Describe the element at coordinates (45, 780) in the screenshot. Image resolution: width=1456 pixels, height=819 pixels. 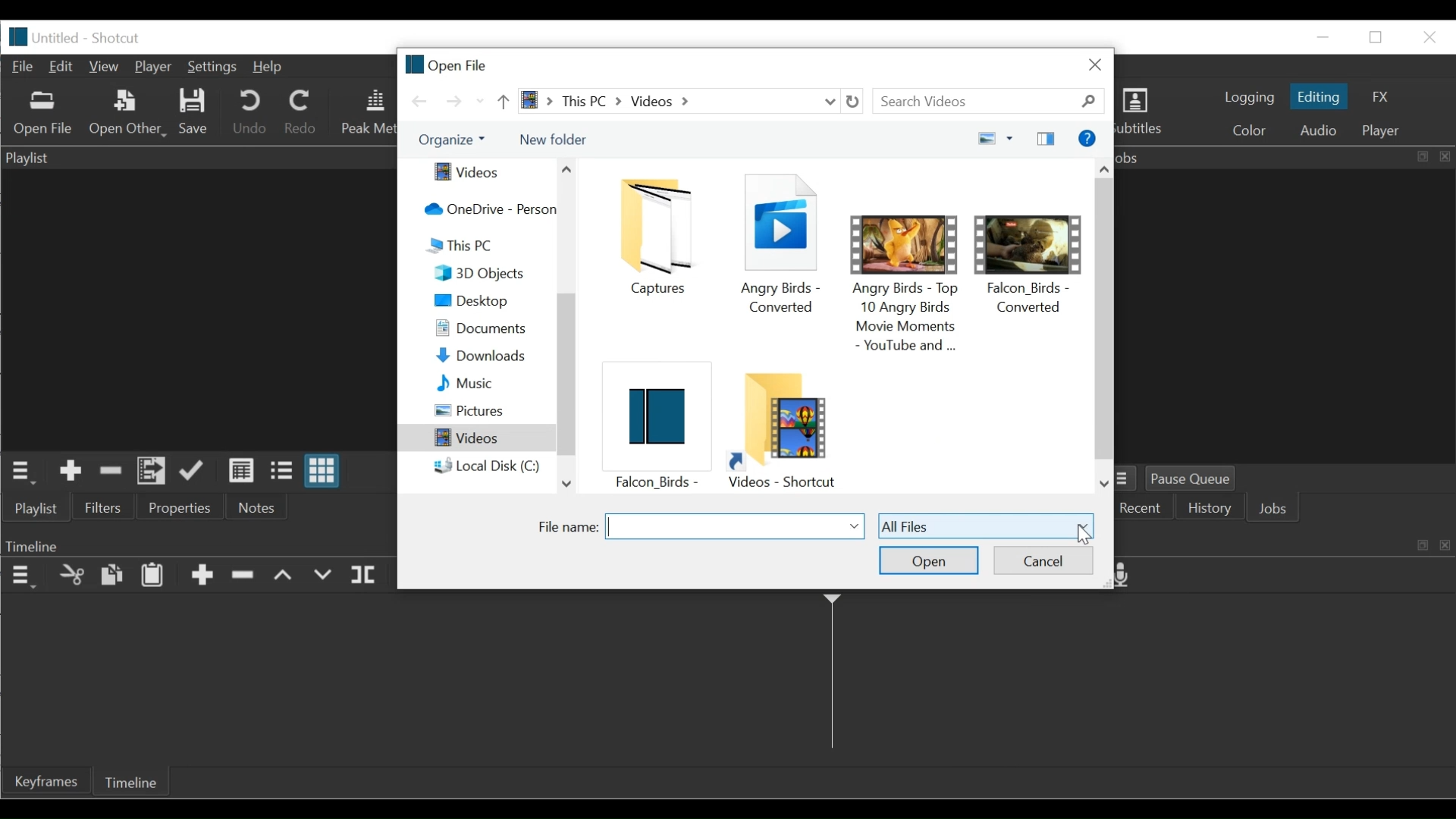
I see `Keyframe ` at that location.